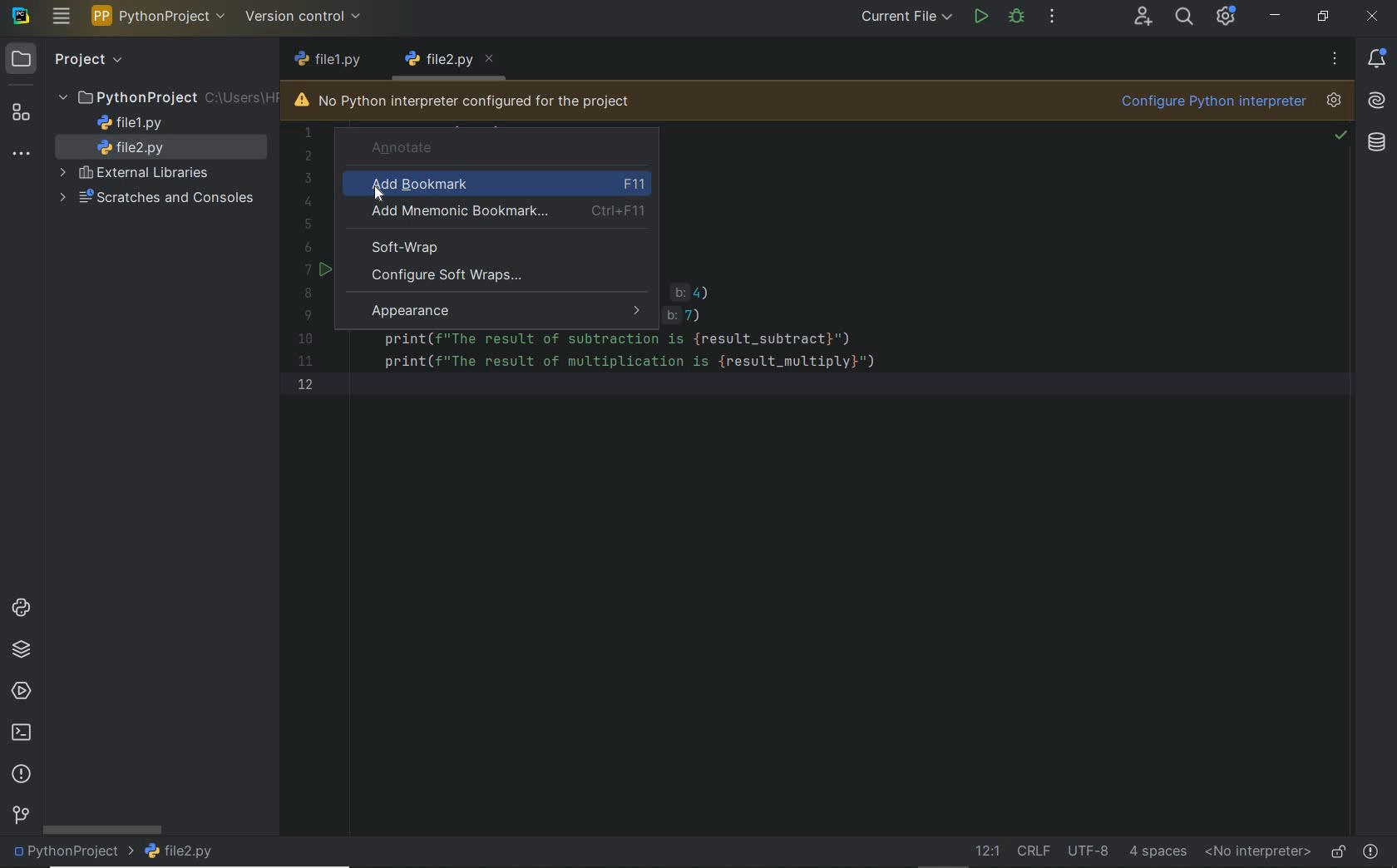 This screenshot has height=868, width=1397. I want to click on line separator, so click(1034, 851).